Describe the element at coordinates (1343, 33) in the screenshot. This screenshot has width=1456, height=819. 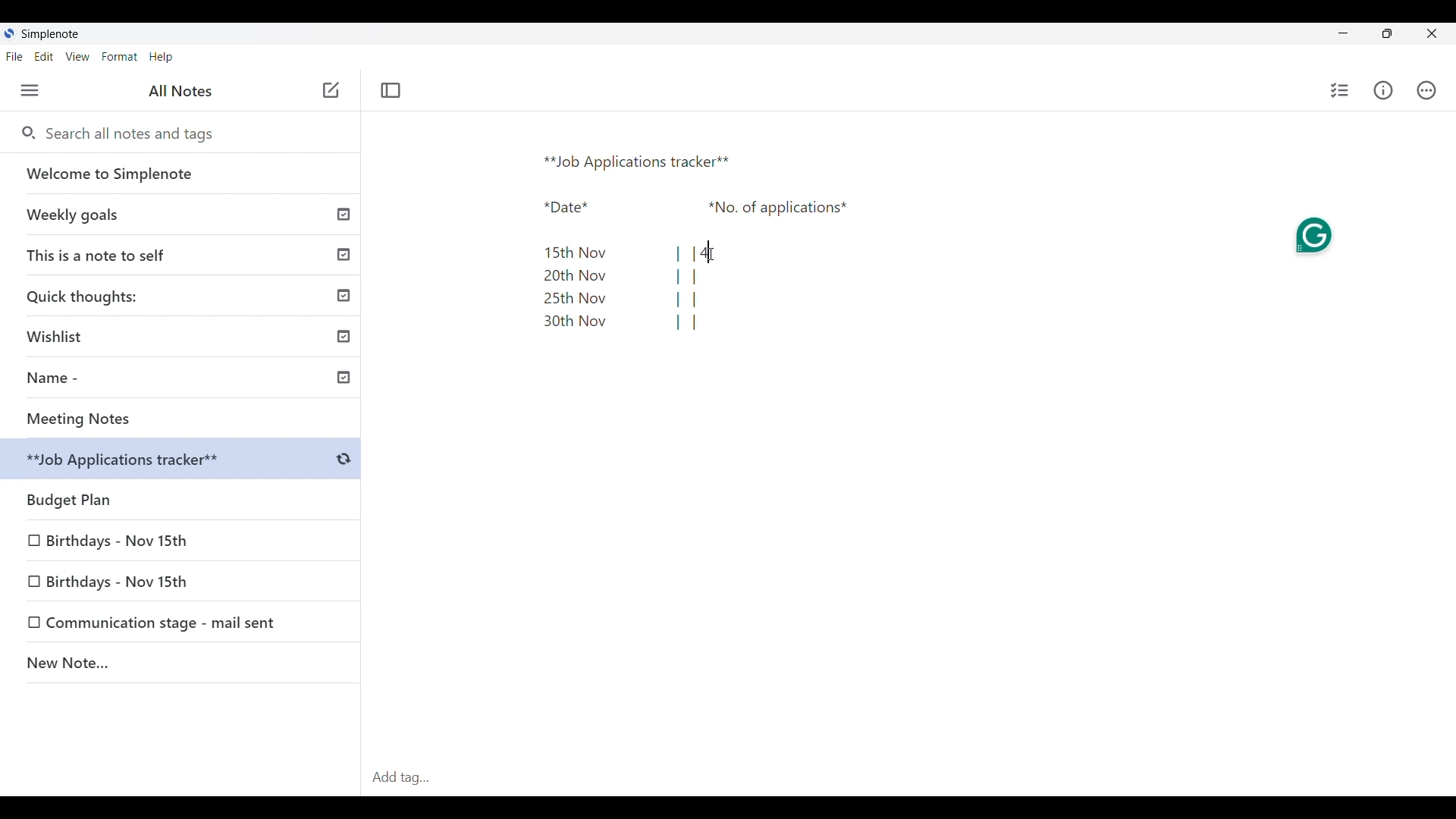
I see `Minimize` at that location.